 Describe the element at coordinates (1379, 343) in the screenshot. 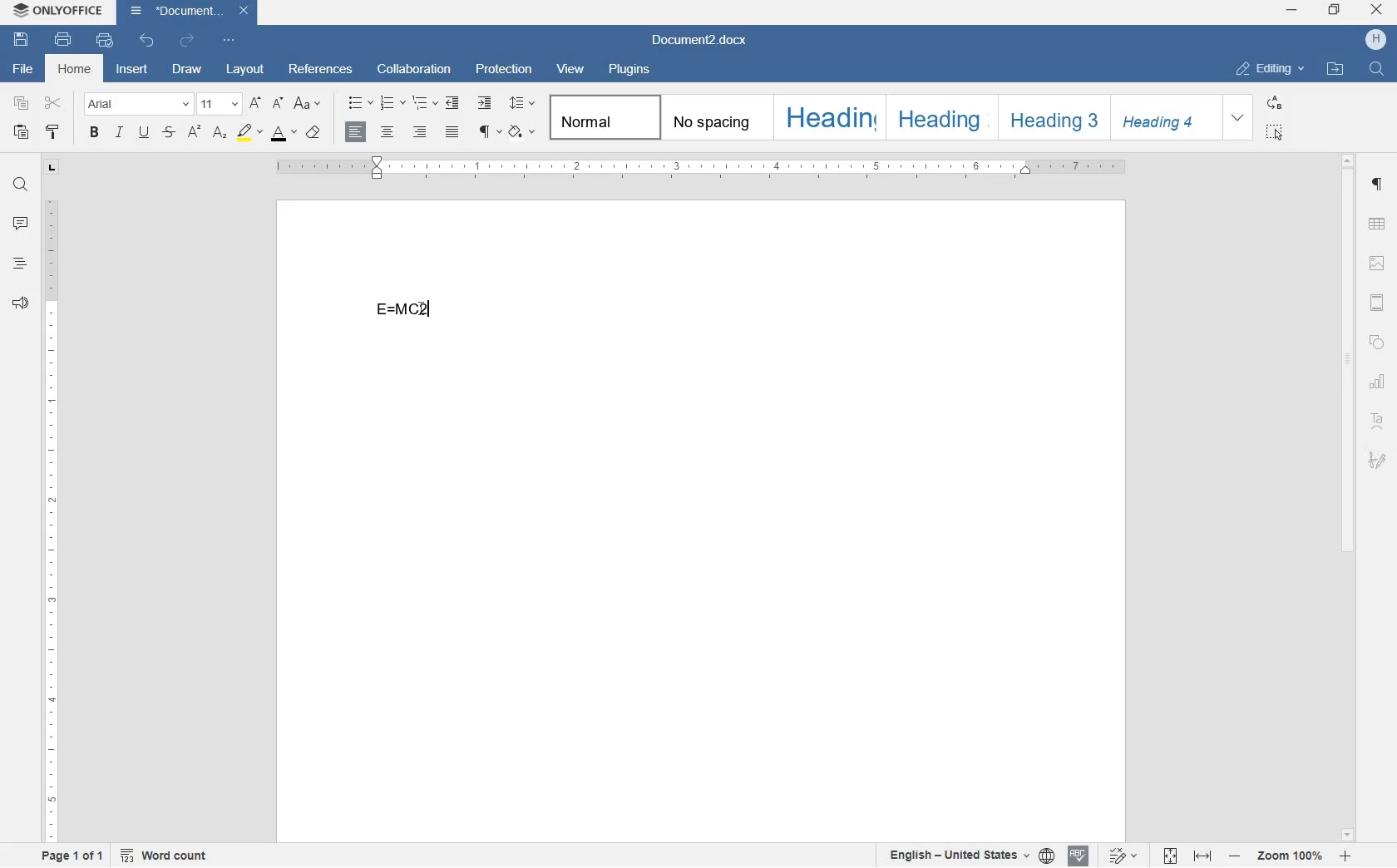

I see `shape` at that location.